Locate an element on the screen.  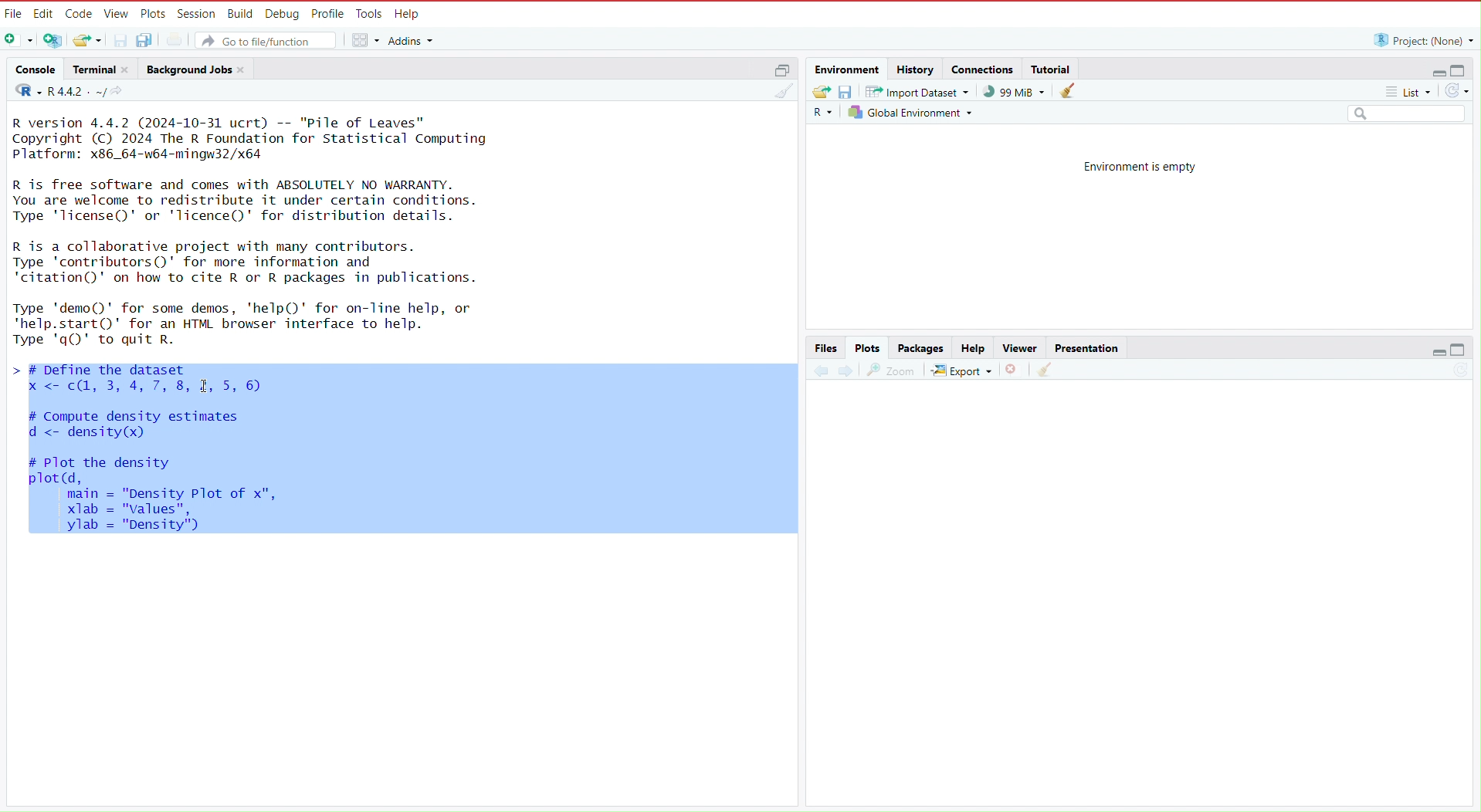
environment is located at coordinates (845, 68).